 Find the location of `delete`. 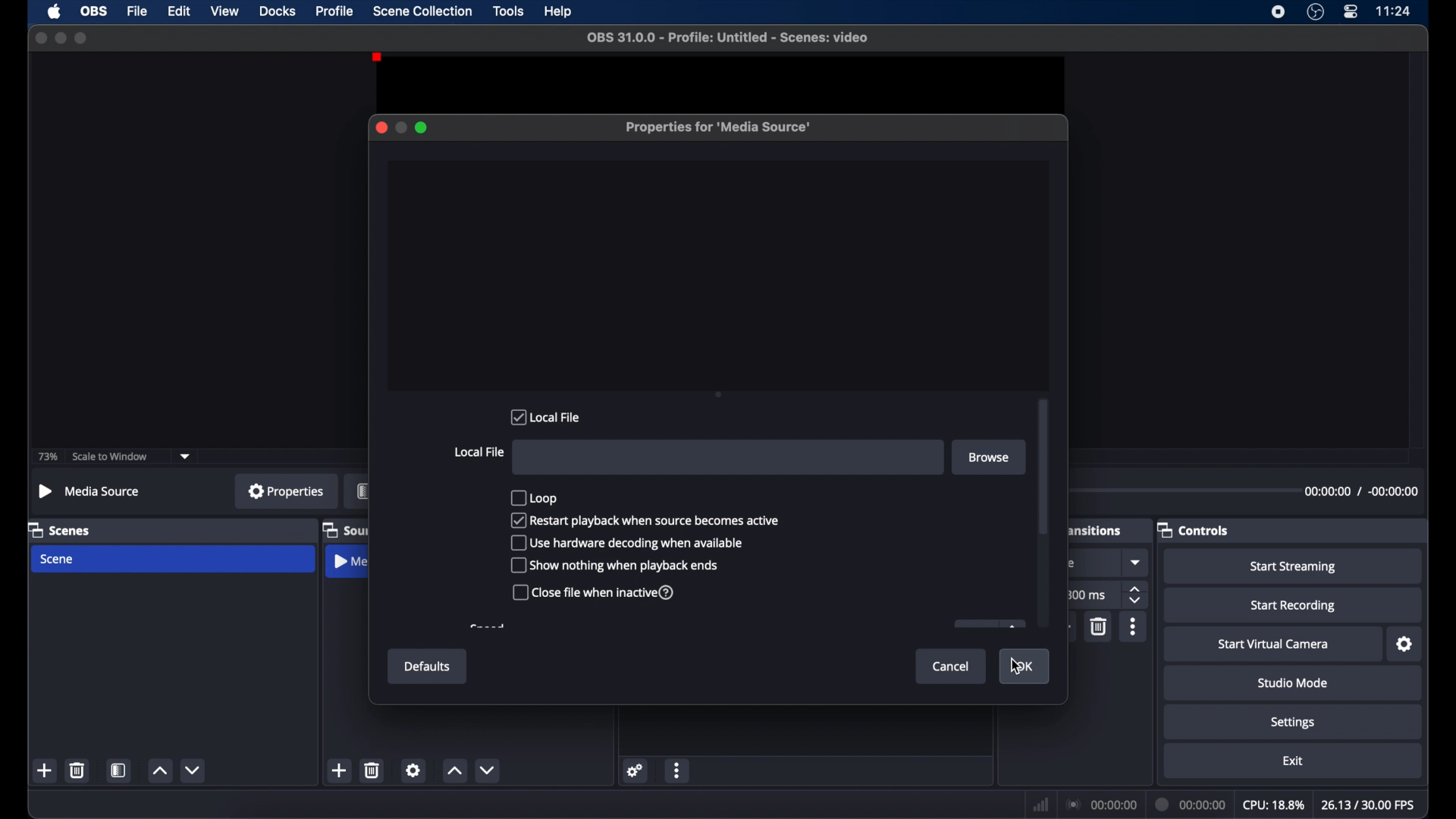

delete is located at coordinates (1100, 627).